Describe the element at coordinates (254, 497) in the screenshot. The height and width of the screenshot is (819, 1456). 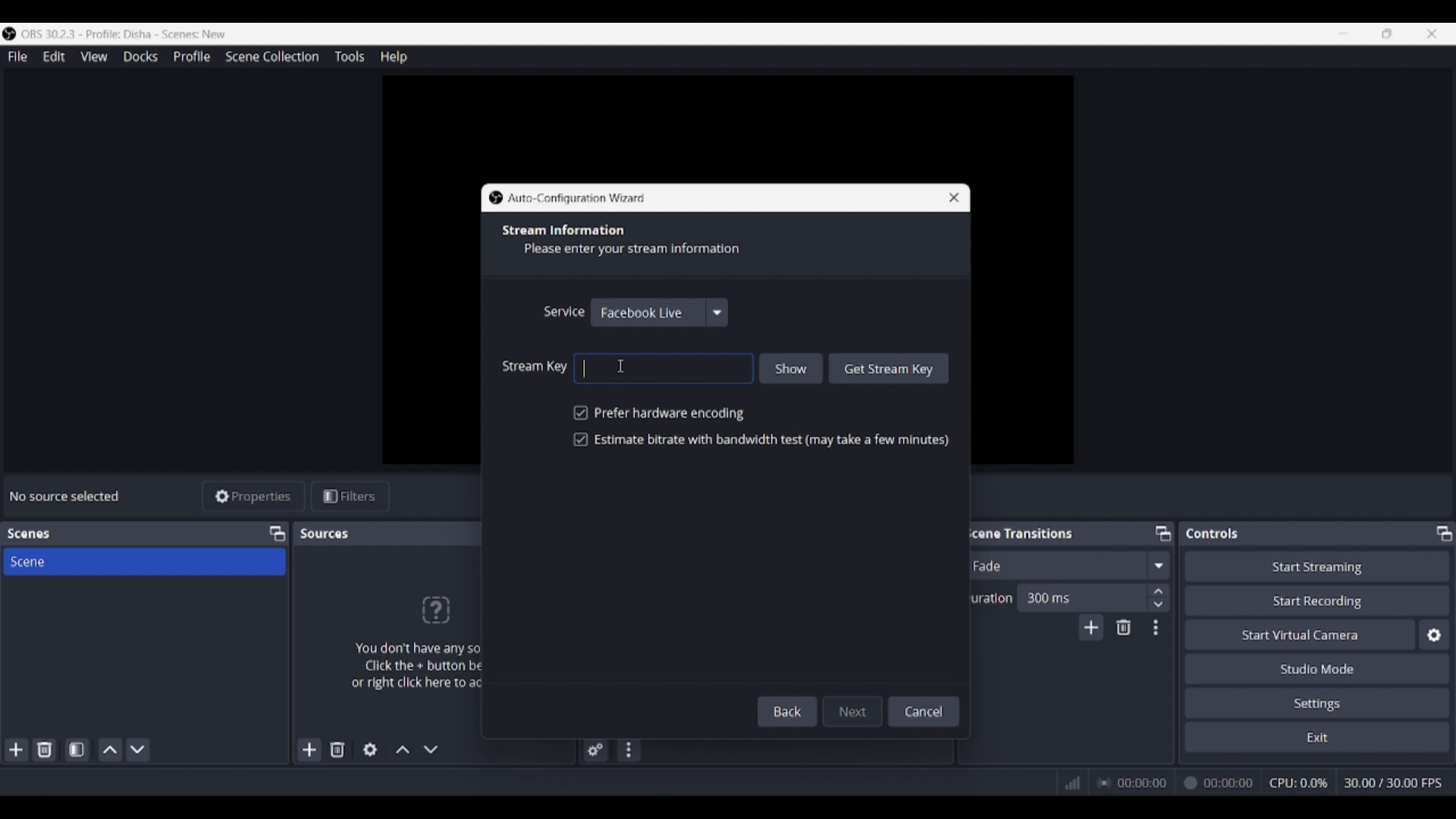
I see `Properties` at that location.